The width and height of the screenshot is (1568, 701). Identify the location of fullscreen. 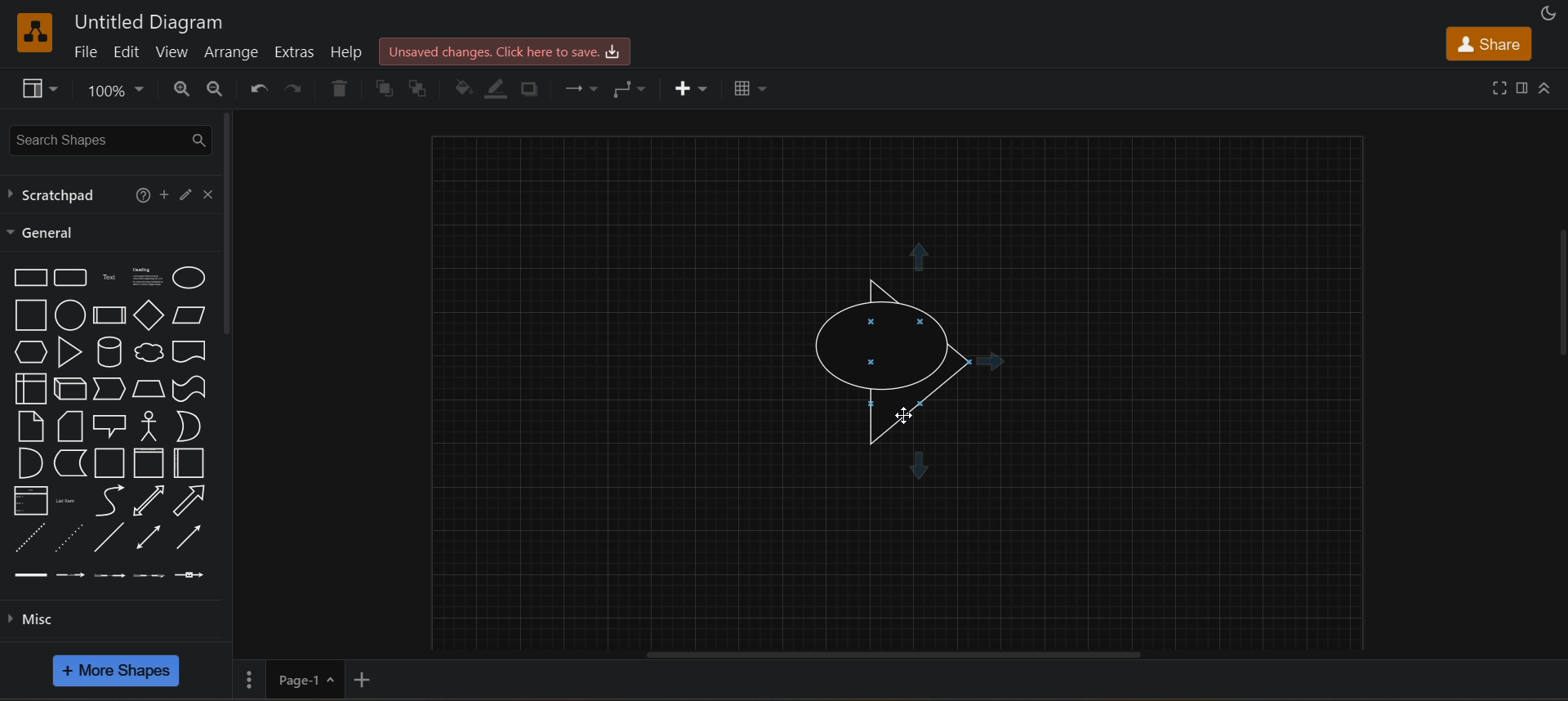
(1499, 87).